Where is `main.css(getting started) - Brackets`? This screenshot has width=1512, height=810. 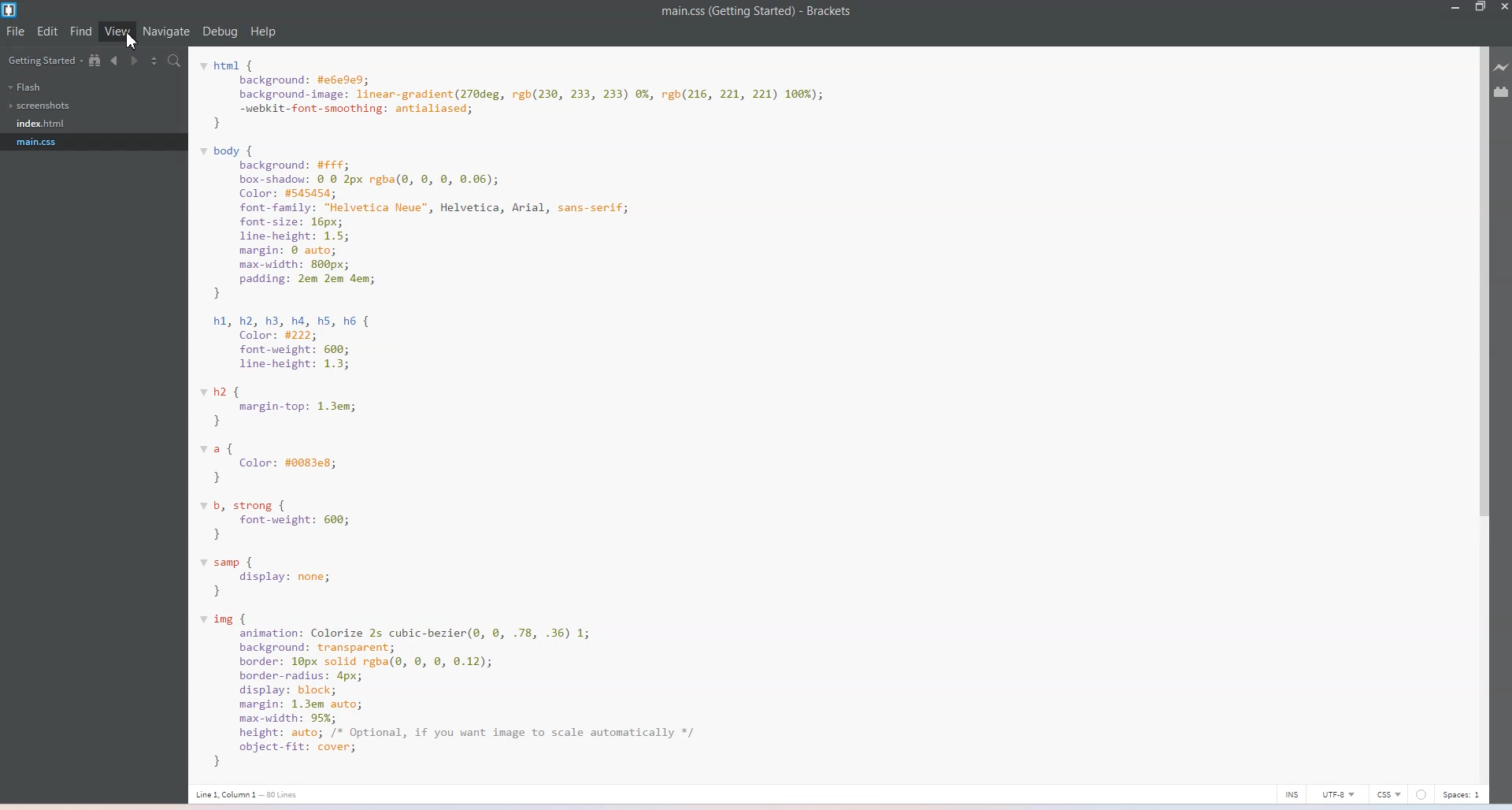
main.css(getting started) - Brackets is located at coordinates (769, 12).